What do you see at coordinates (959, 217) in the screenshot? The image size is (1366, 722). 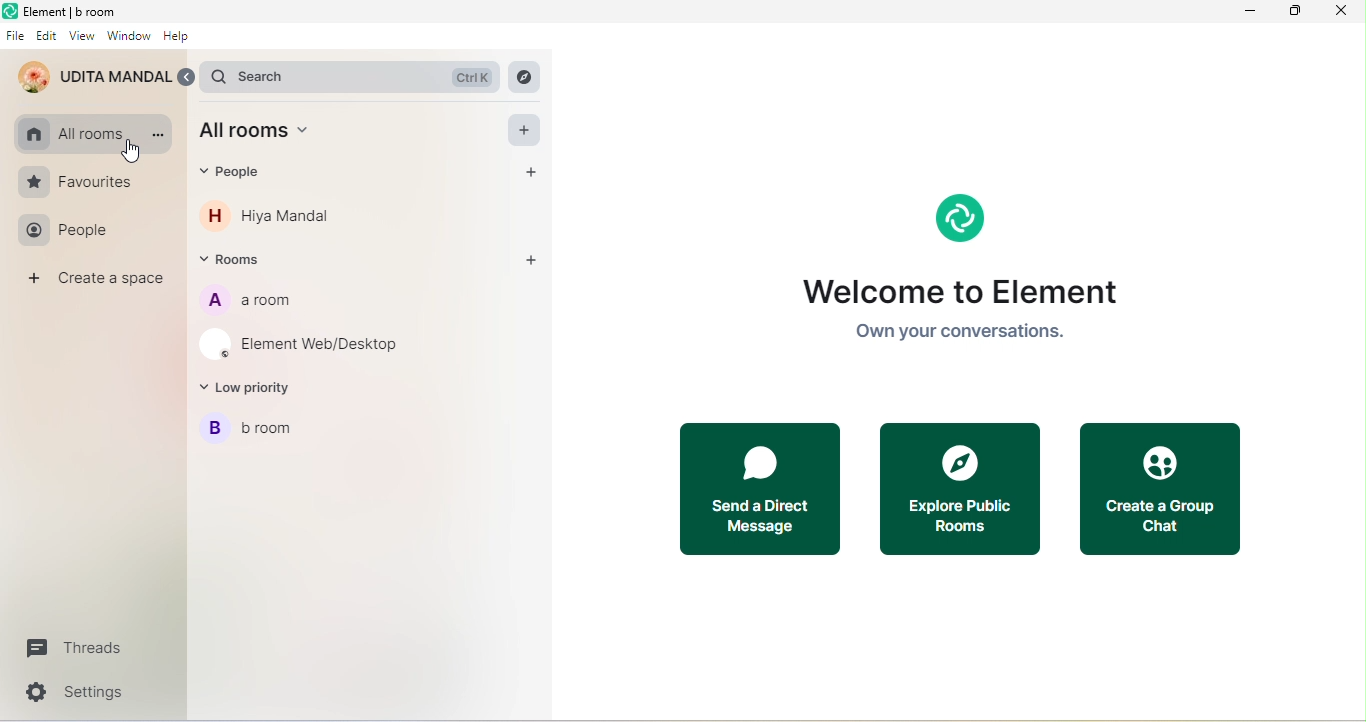 I see `element logo` at bounding box center [959, 217].